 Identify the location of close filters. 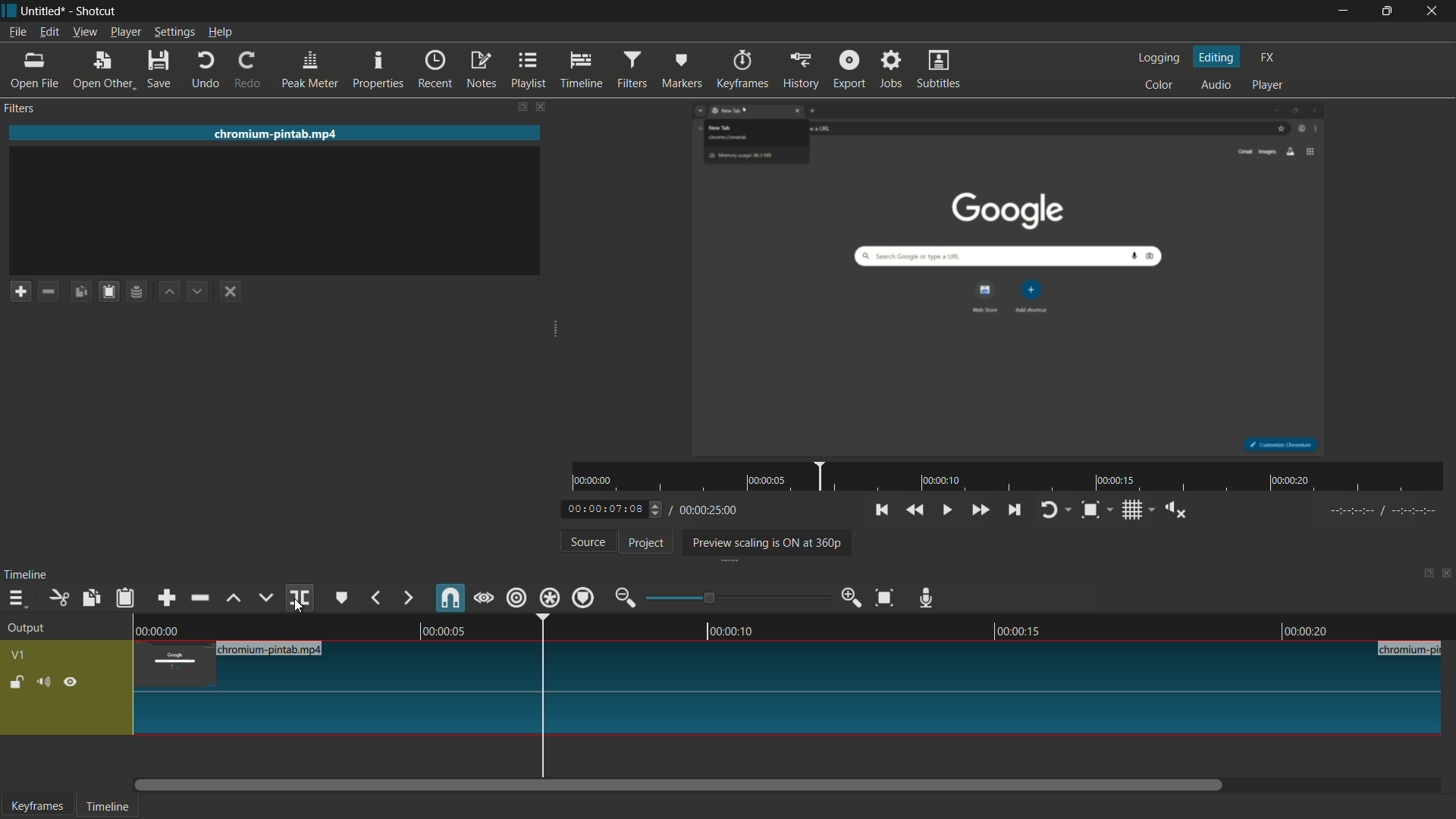
(541, 106).